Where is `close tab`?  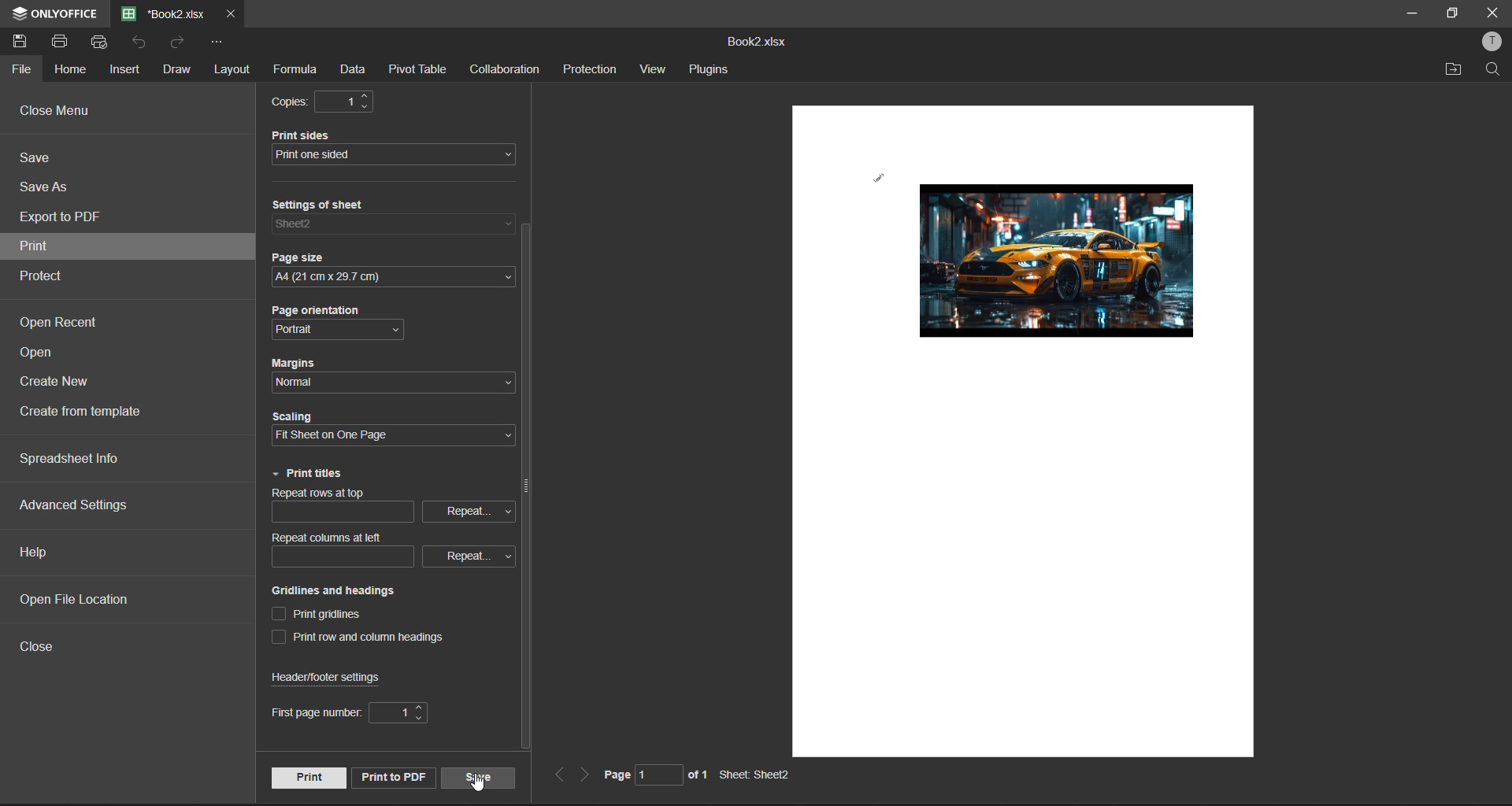 close tab is located at coordinates (228, 13).